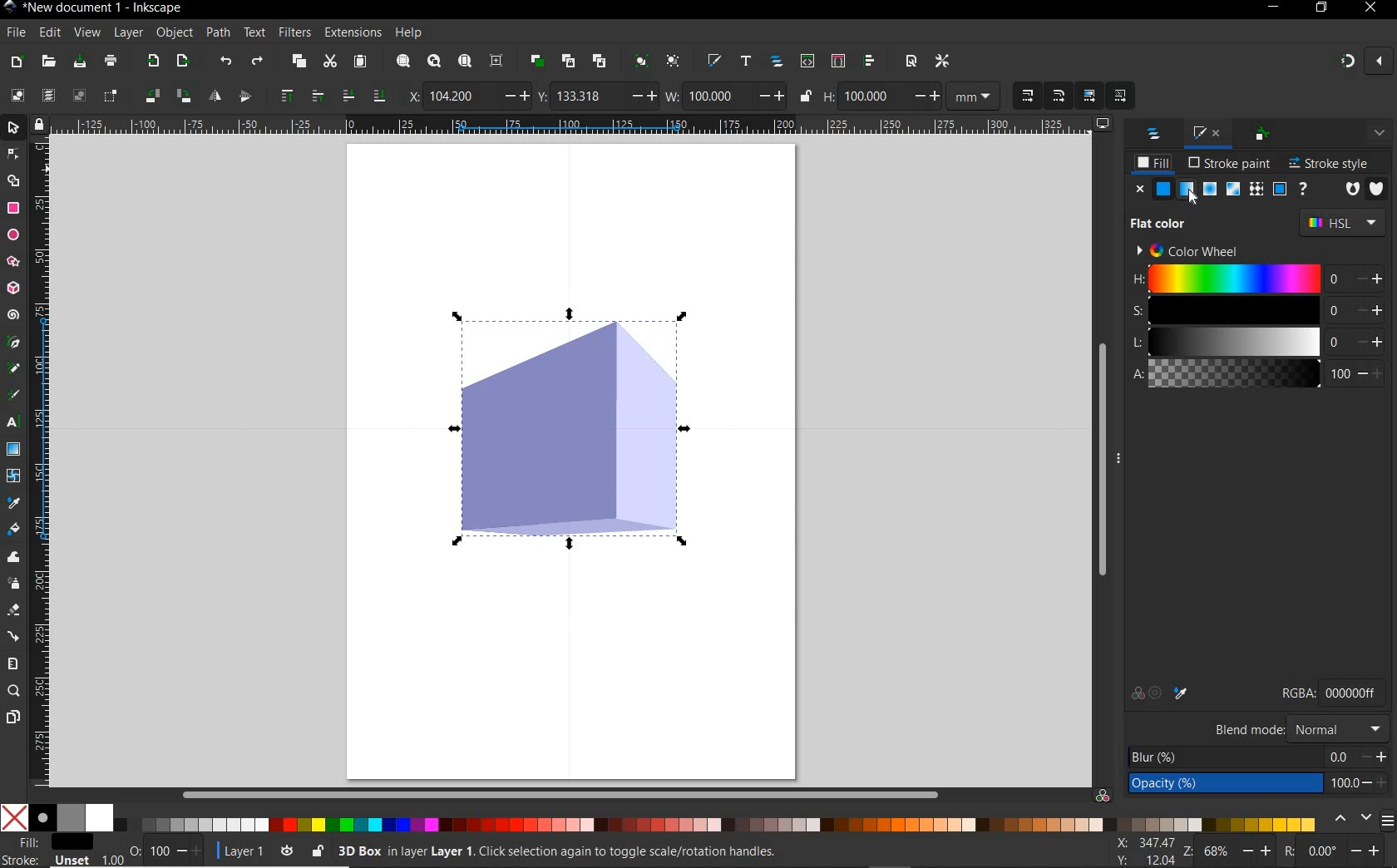 The image size is (1397, 868). I want to click on OPEN FILL & STROKE, so click(713, 60).